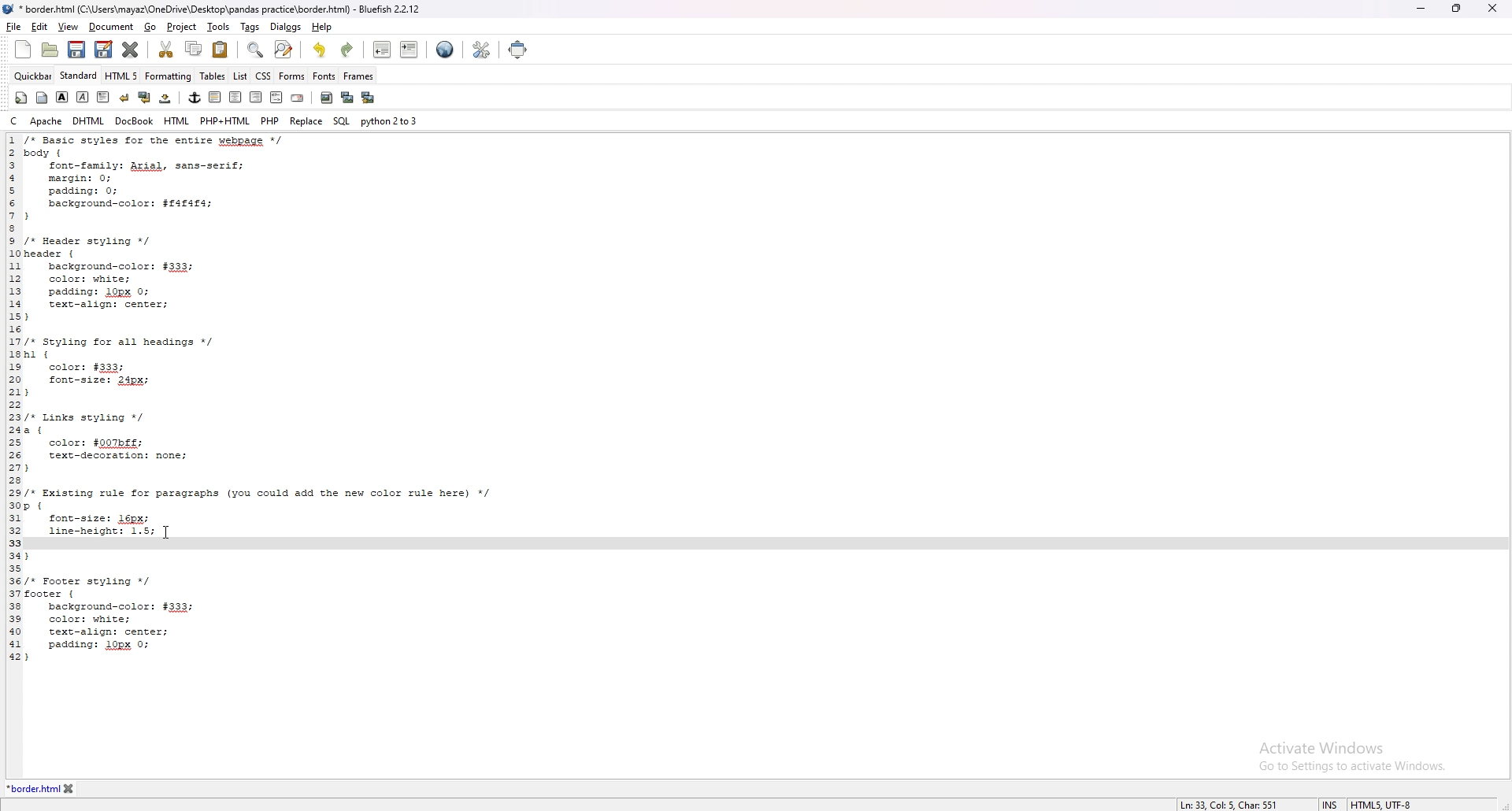 This screenshot has width=1512, height=811. What do you see at coordinates (256, 50) in the screenshot?
I see `find bar` at bounding box center [256, 50].